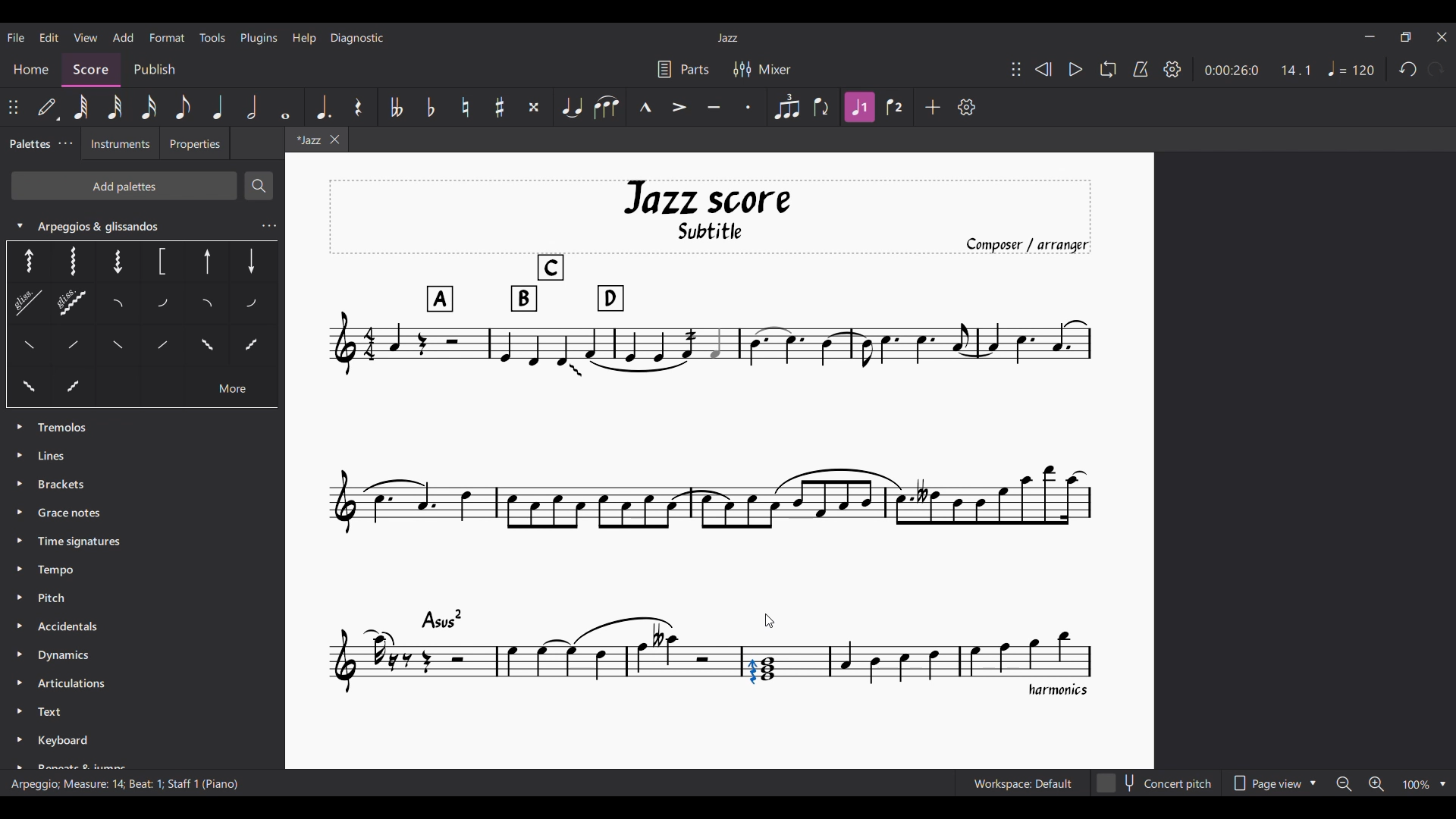 The height and width of the screenshot is (819, 1456). What do you see at coordinates (762, 618) in the screenshot?
I see `Preview of selection` at bounding box center [762, 618].